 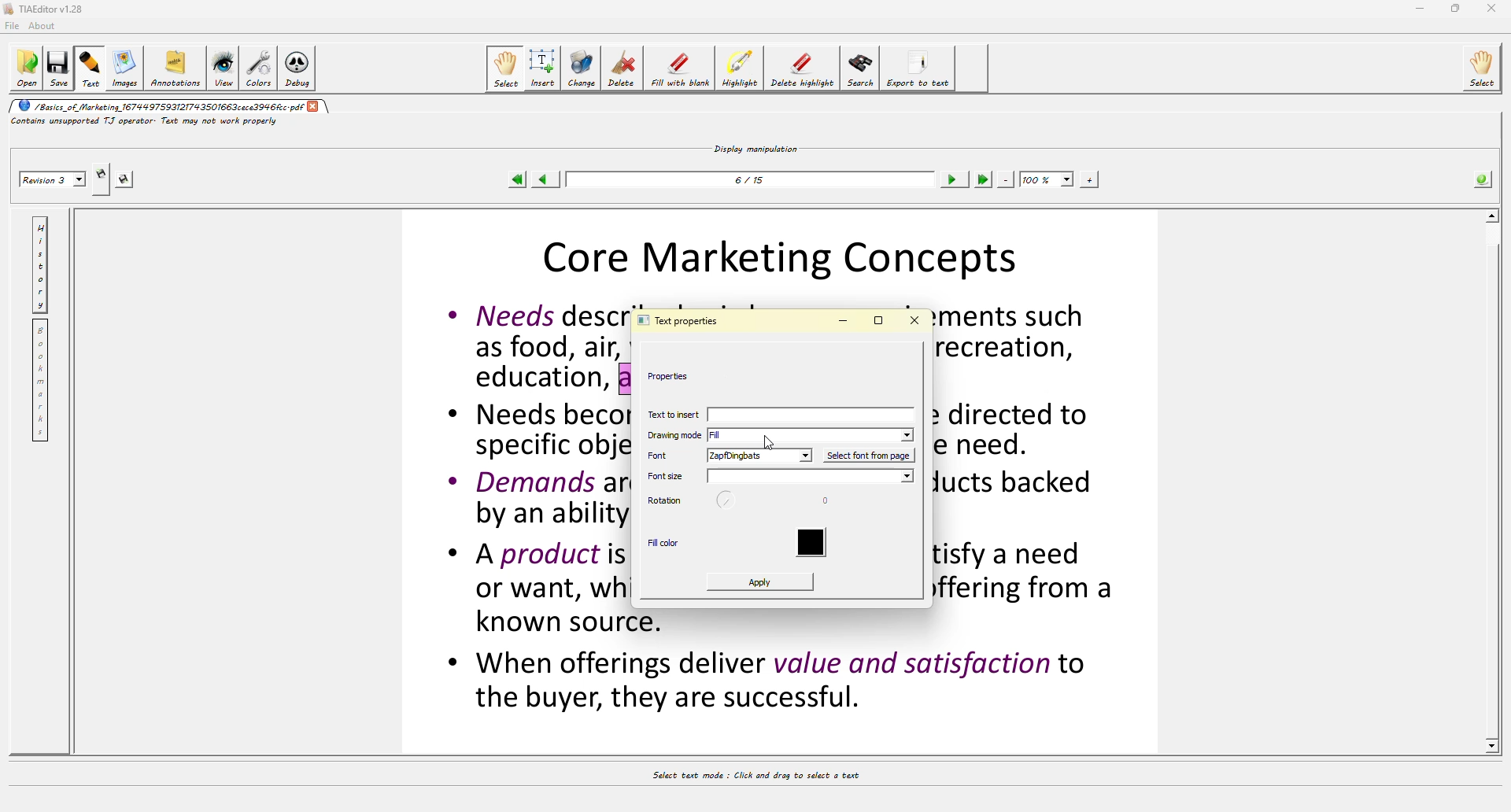 I want to click on zoom in, so click(x=1088, y=180).